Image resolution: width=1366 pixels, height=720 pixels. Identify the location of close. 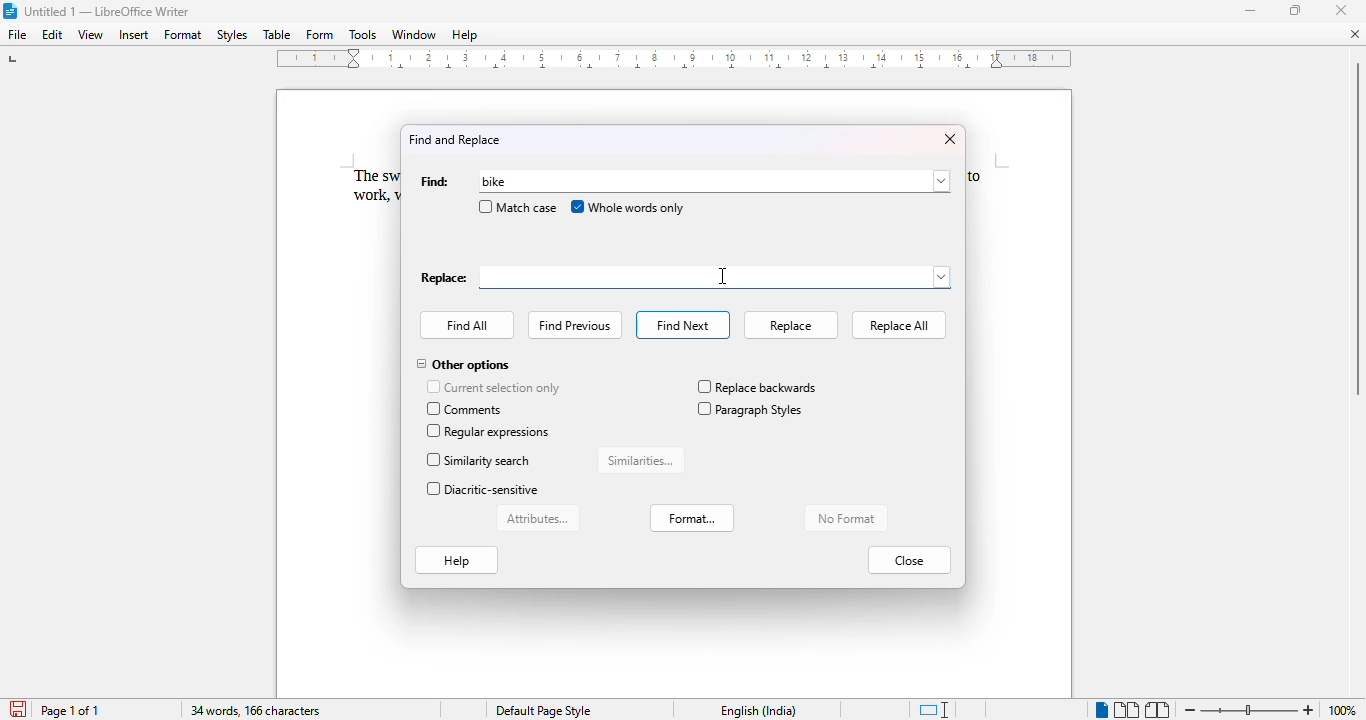
(949, 139).